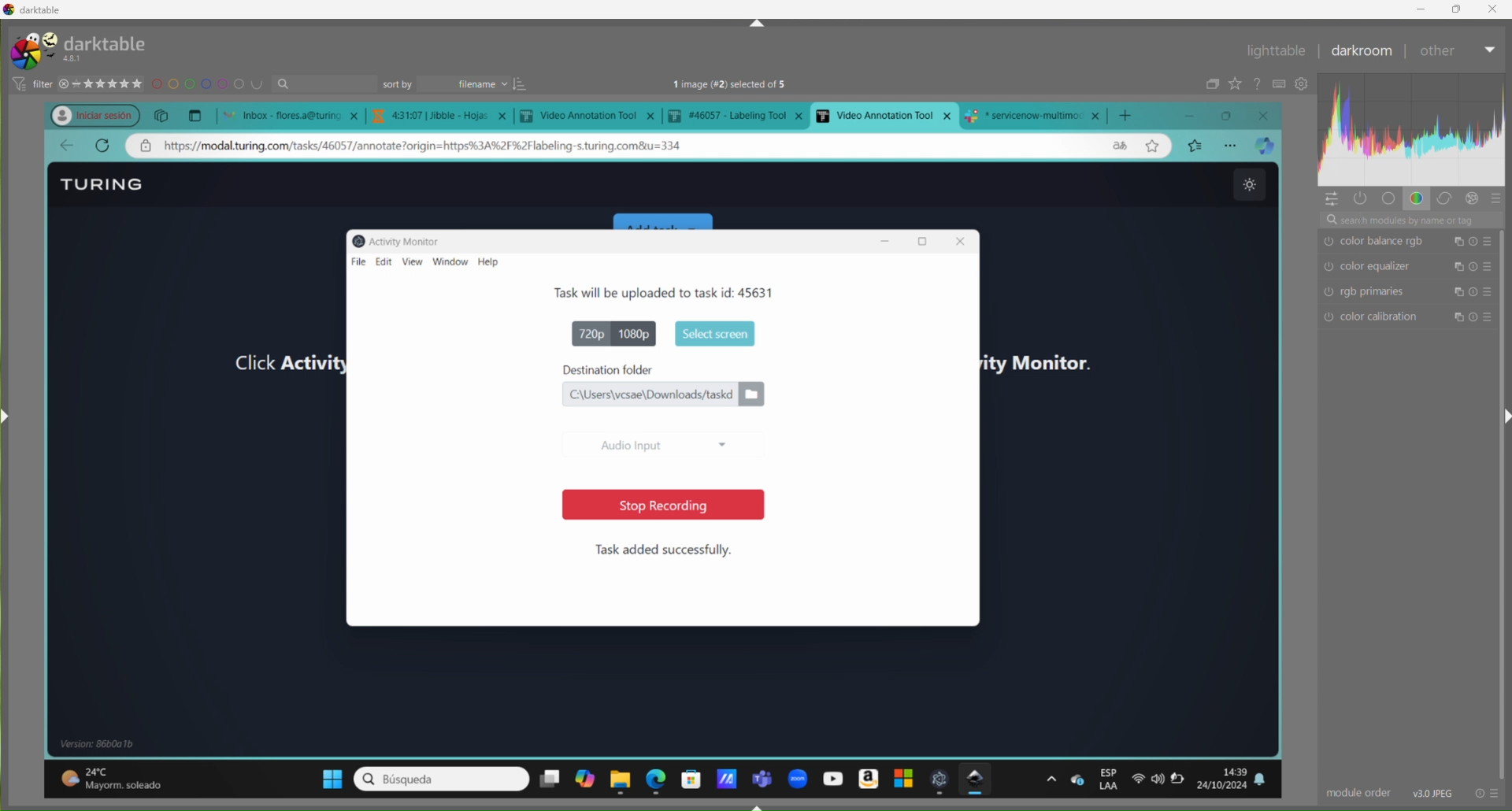 The width and height of the screenshot is (1512, 811). I want to click on Minimize, so click(1422, 9).